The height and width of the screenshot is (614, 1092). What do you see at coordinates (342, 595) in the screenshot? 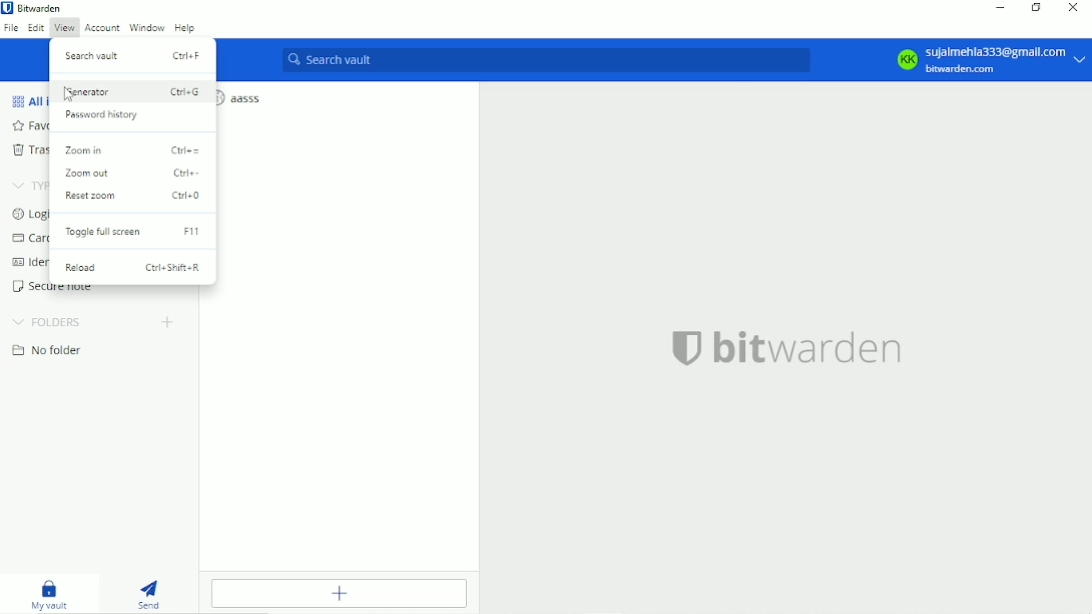
I see `Add item` at bounding box center [342, 595].